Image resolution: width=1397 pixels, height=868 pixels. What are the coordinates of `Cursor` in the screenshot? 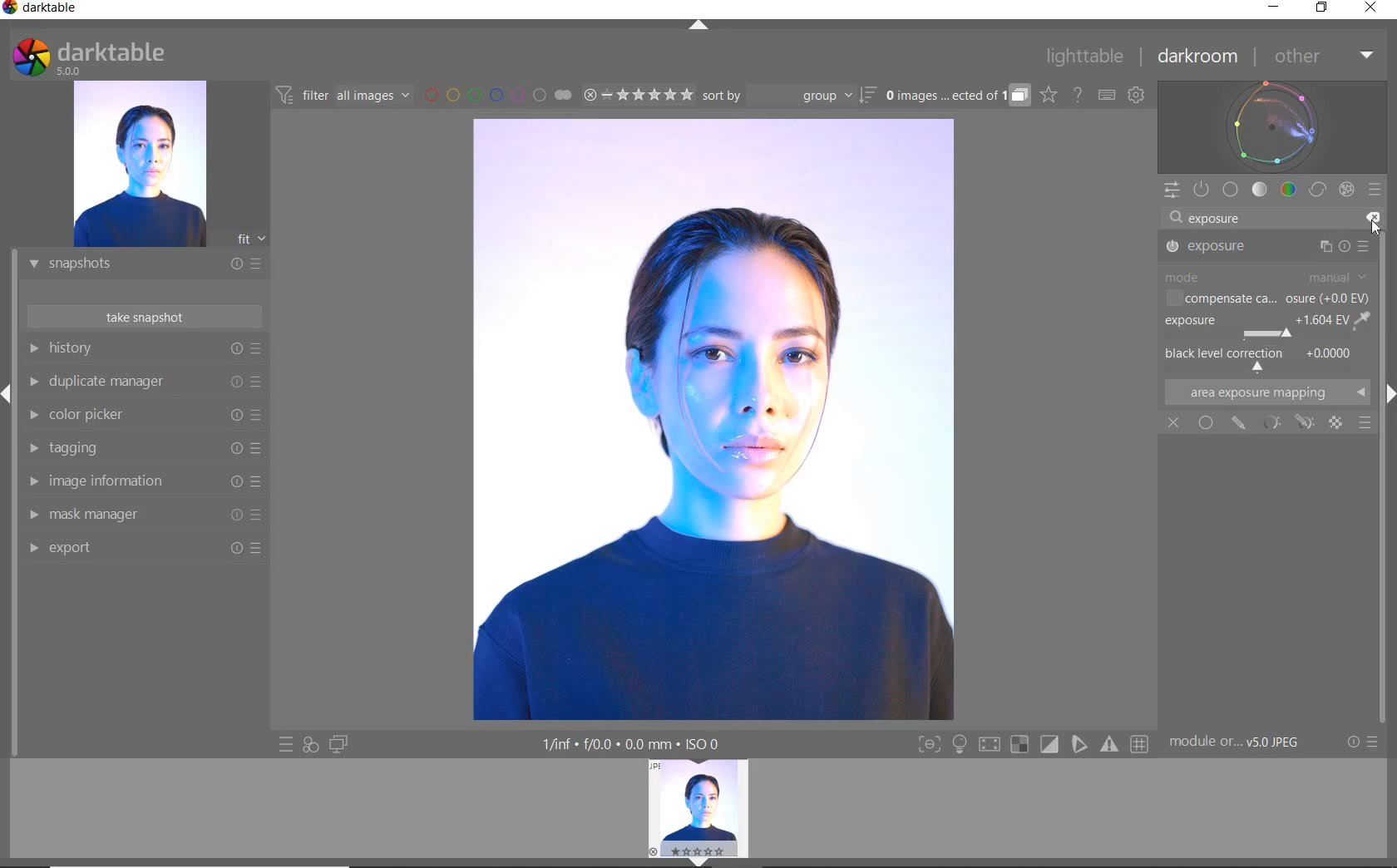 It's located at (1375, 227).